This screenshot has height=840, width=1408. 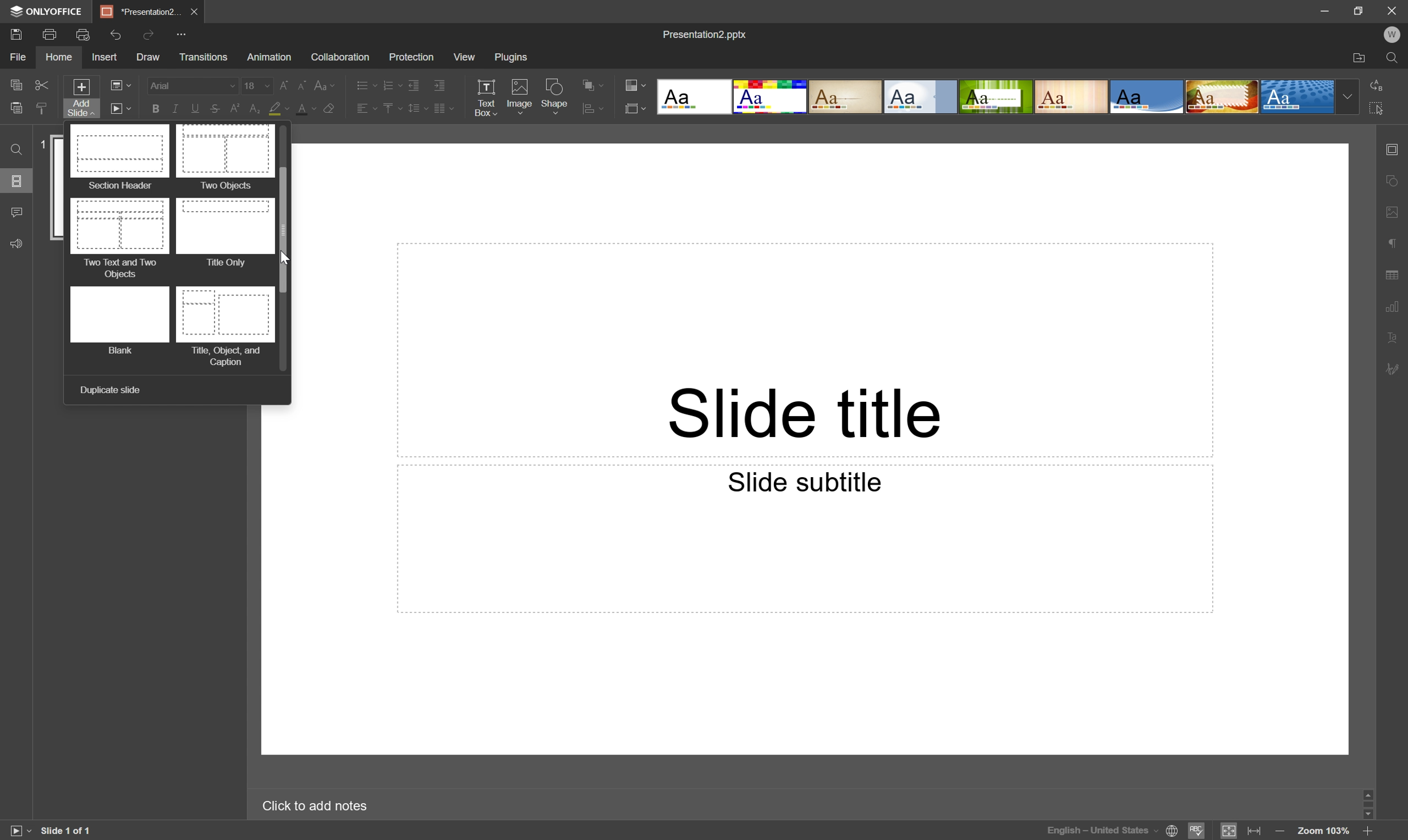 I want to click on Slide title, so click(x=808, y=411).